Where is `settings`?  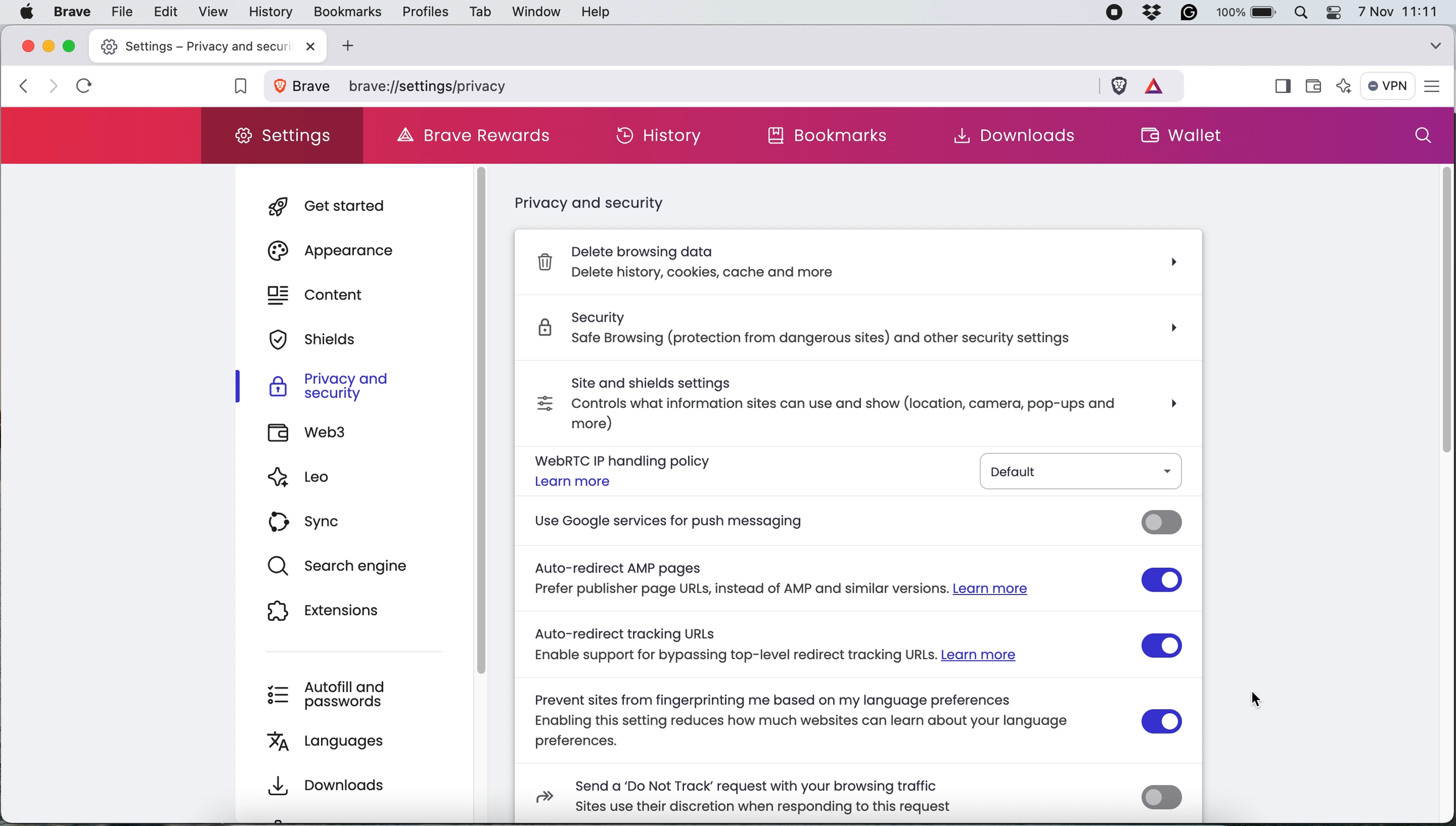
settings is located at coordinates (1437, 87).